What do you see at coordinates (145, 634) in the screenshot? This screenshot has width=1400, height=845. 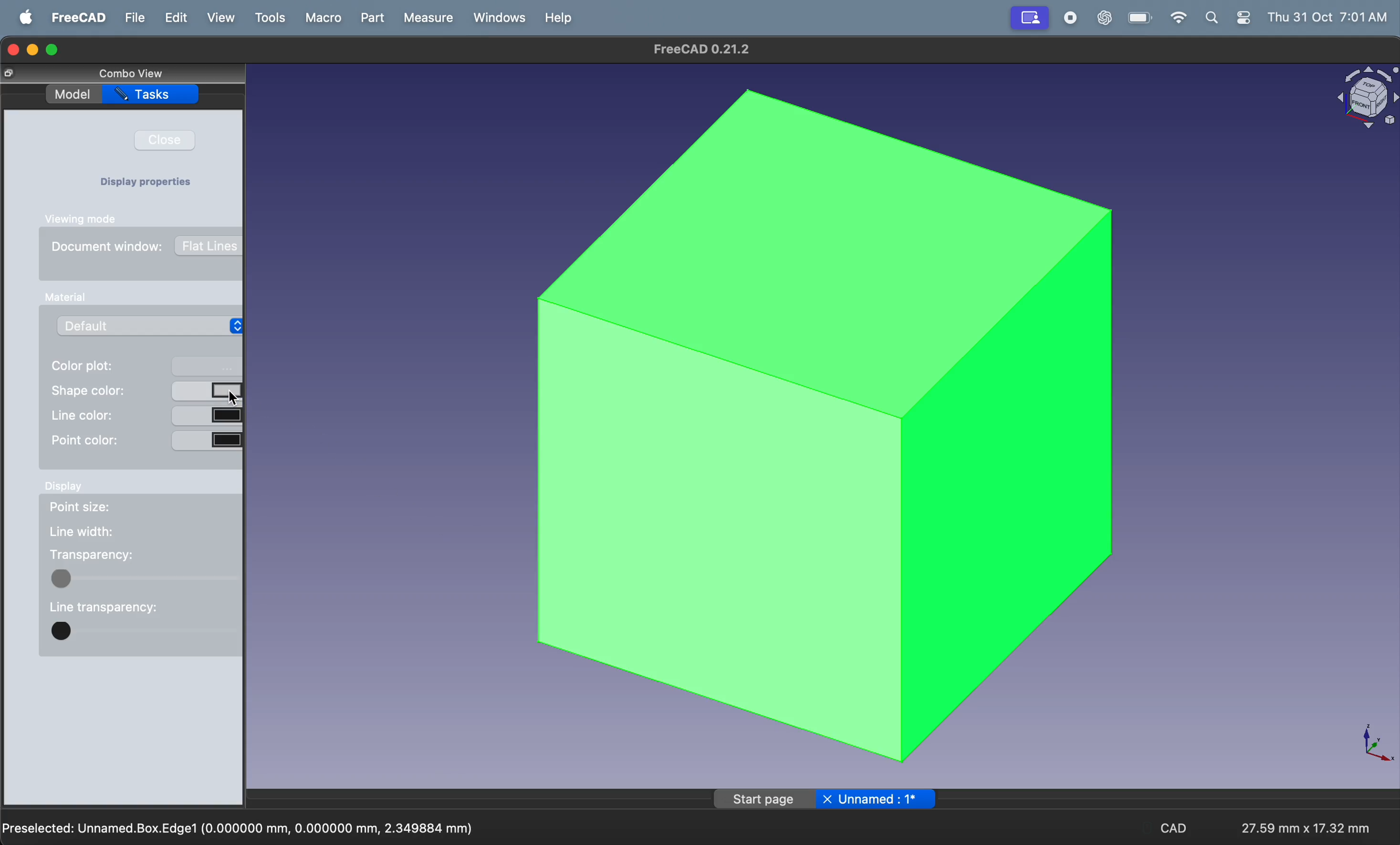 I see `toogle` at bounding box center [145, 634].